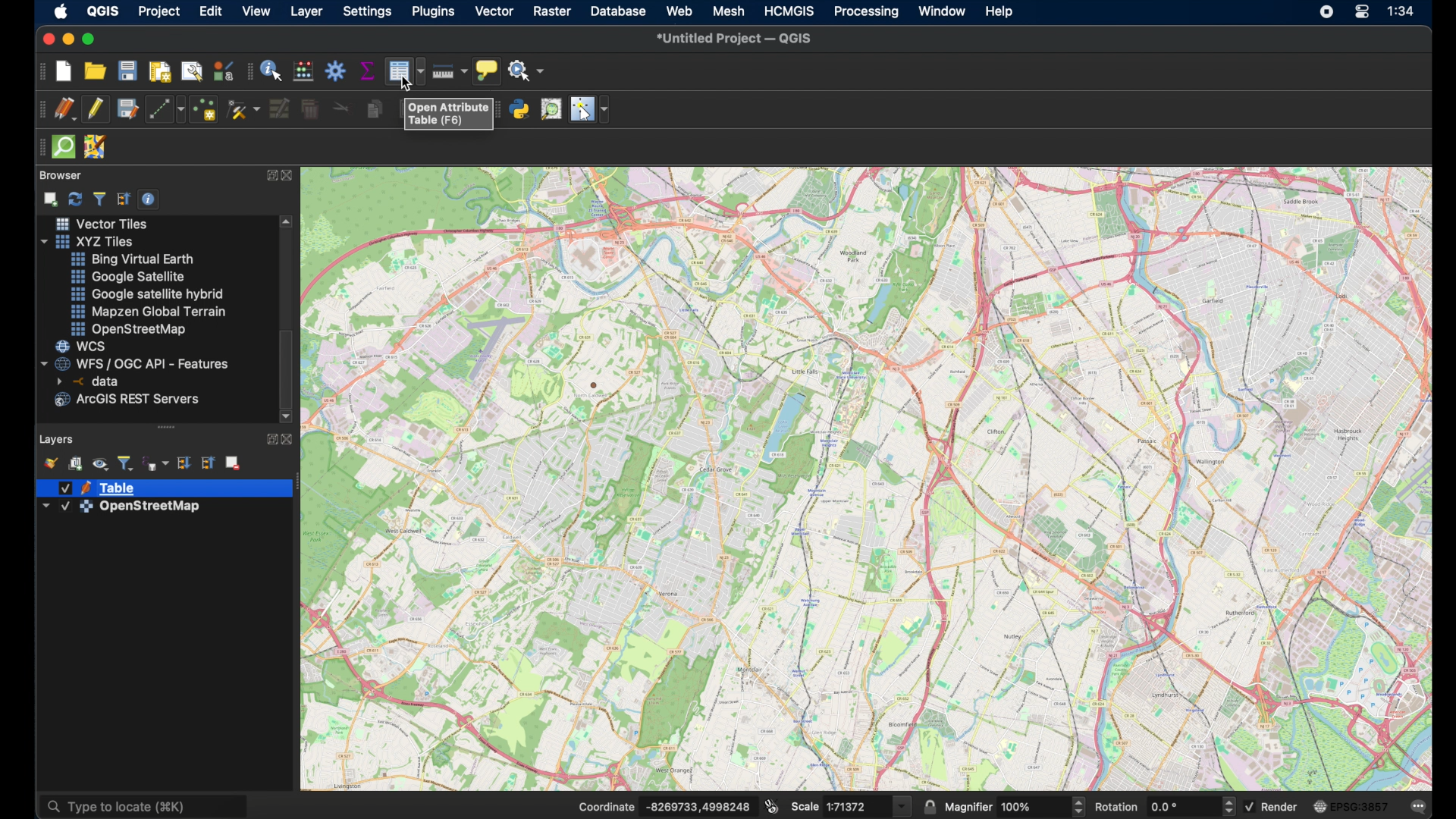  Describe the element at coordinates (1181, 805) in the screenshot. I see `rotation value` at that location.